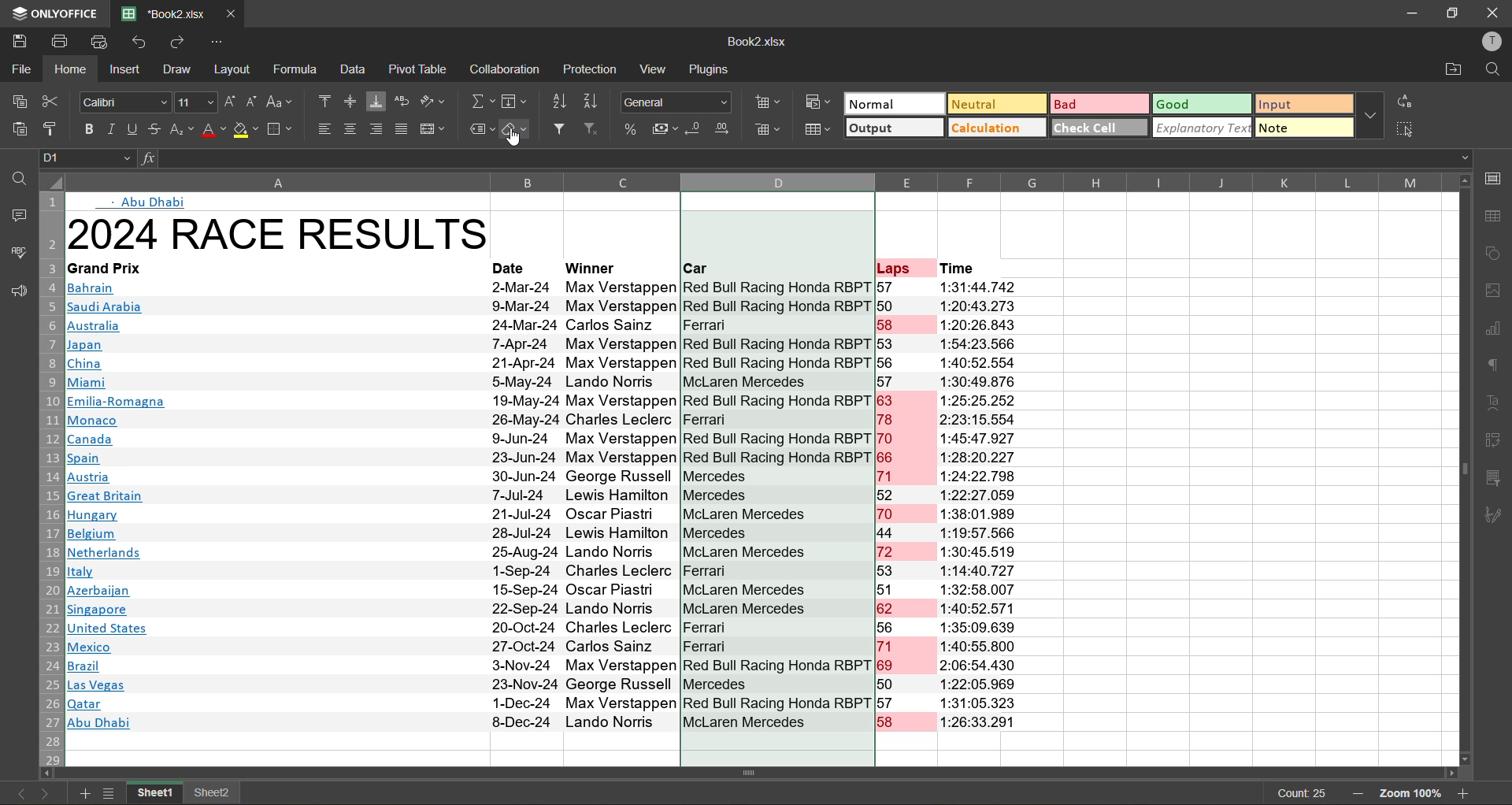 The height and width of the screenshot is (805, 1512). Describe the element at coordinates (548, 704) in the screenshot. I see `|Qatar 1-Dec-24 Max Verstappen Red Bull Racing Honda RBr 1 of 1:31:00.323` at that location.